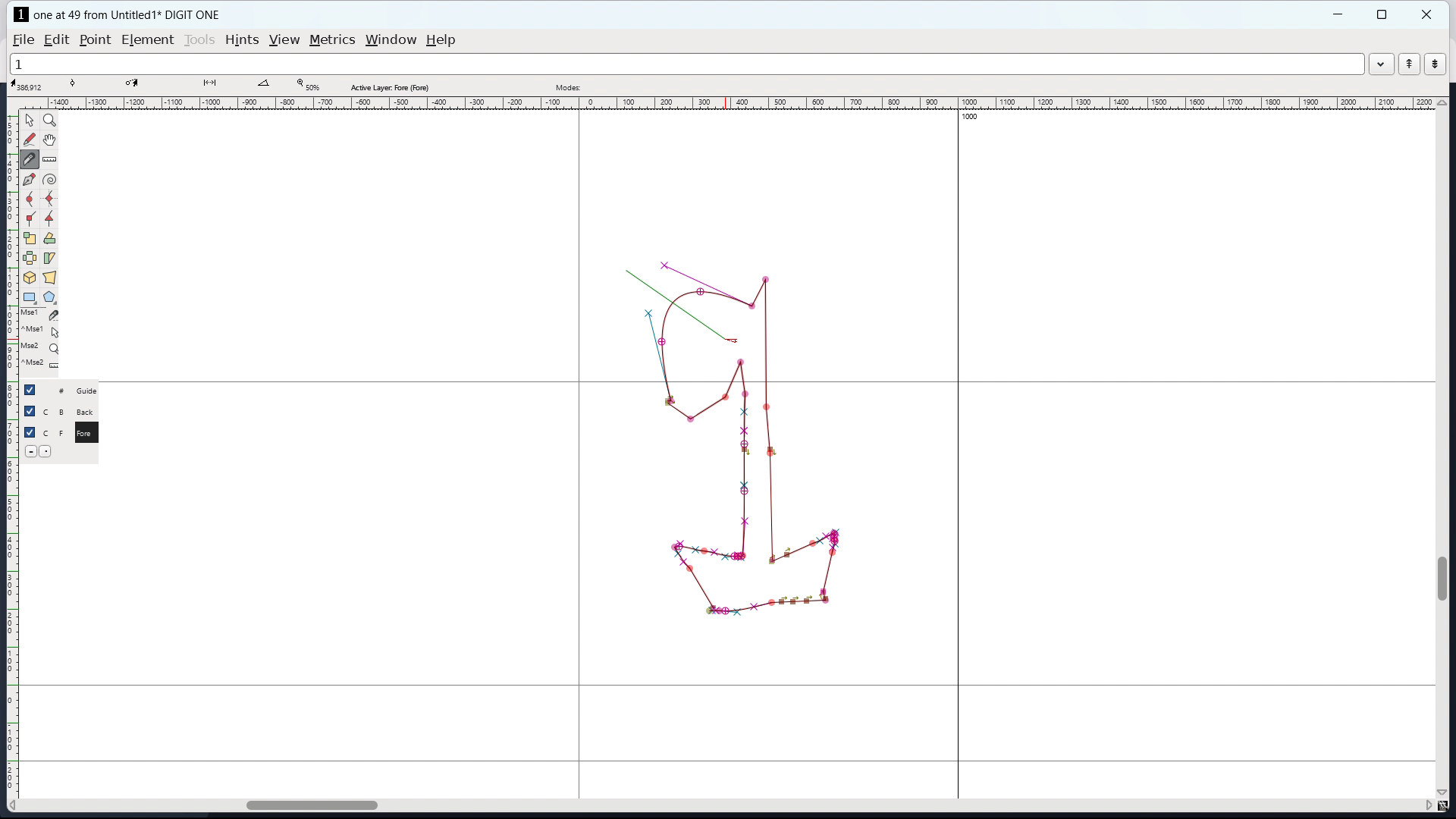 This screenshot has height=819, width=1456. Describe the element at coordinates (30, 297) in the screenshot. I see `rectangle or ellipse` at that location.